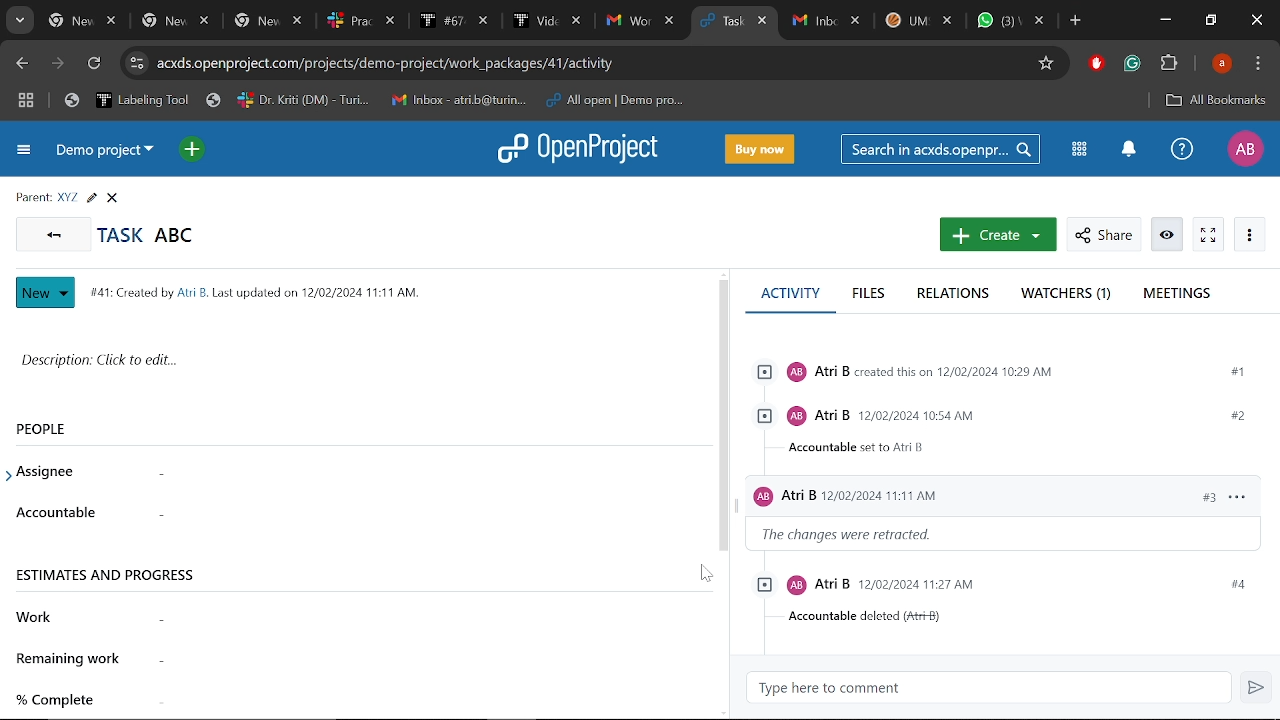  I want to click on ESTIMATES AND PROGRESS, so click(109, 583).